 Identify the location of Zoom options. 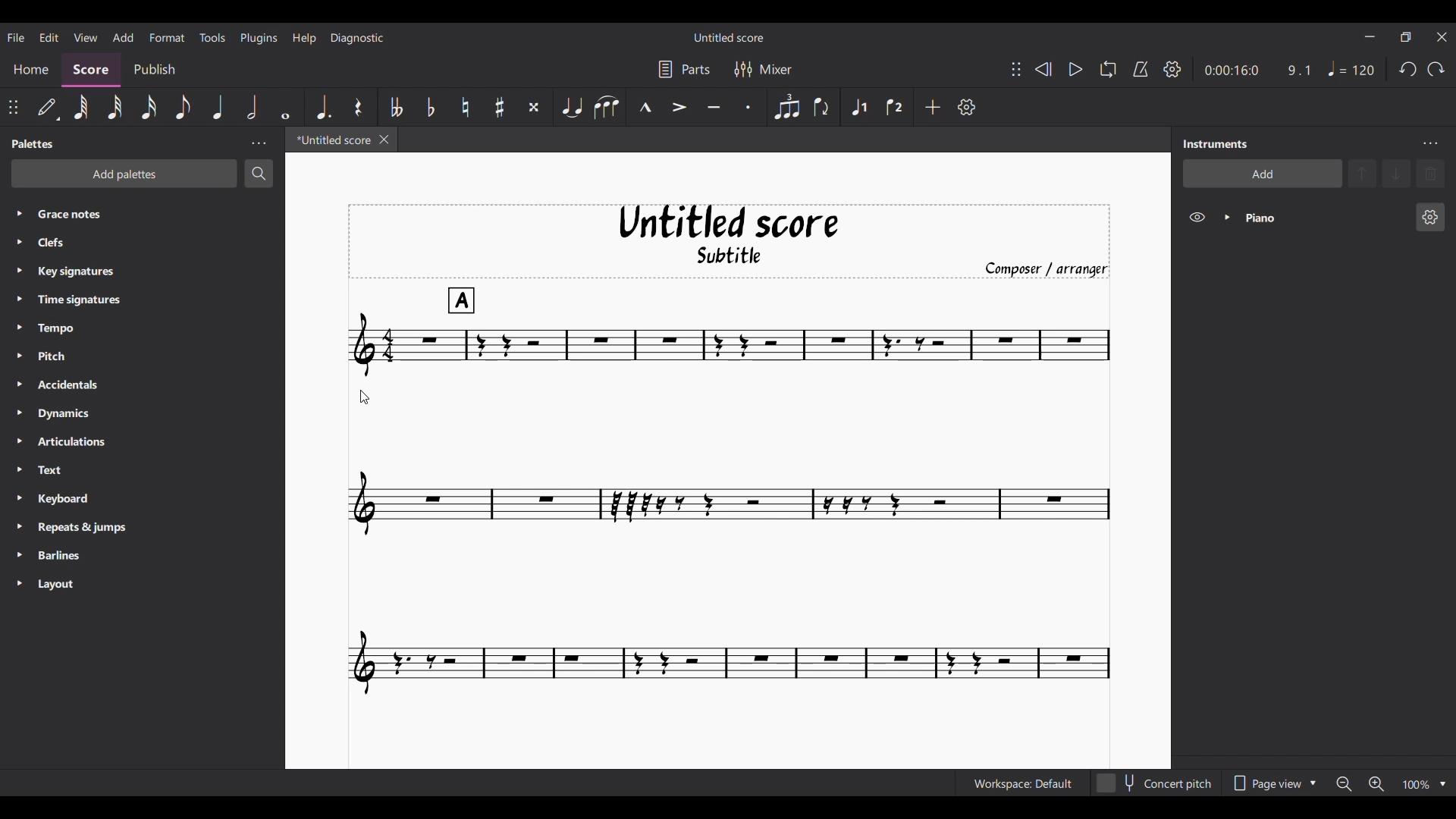
(1442, 784).